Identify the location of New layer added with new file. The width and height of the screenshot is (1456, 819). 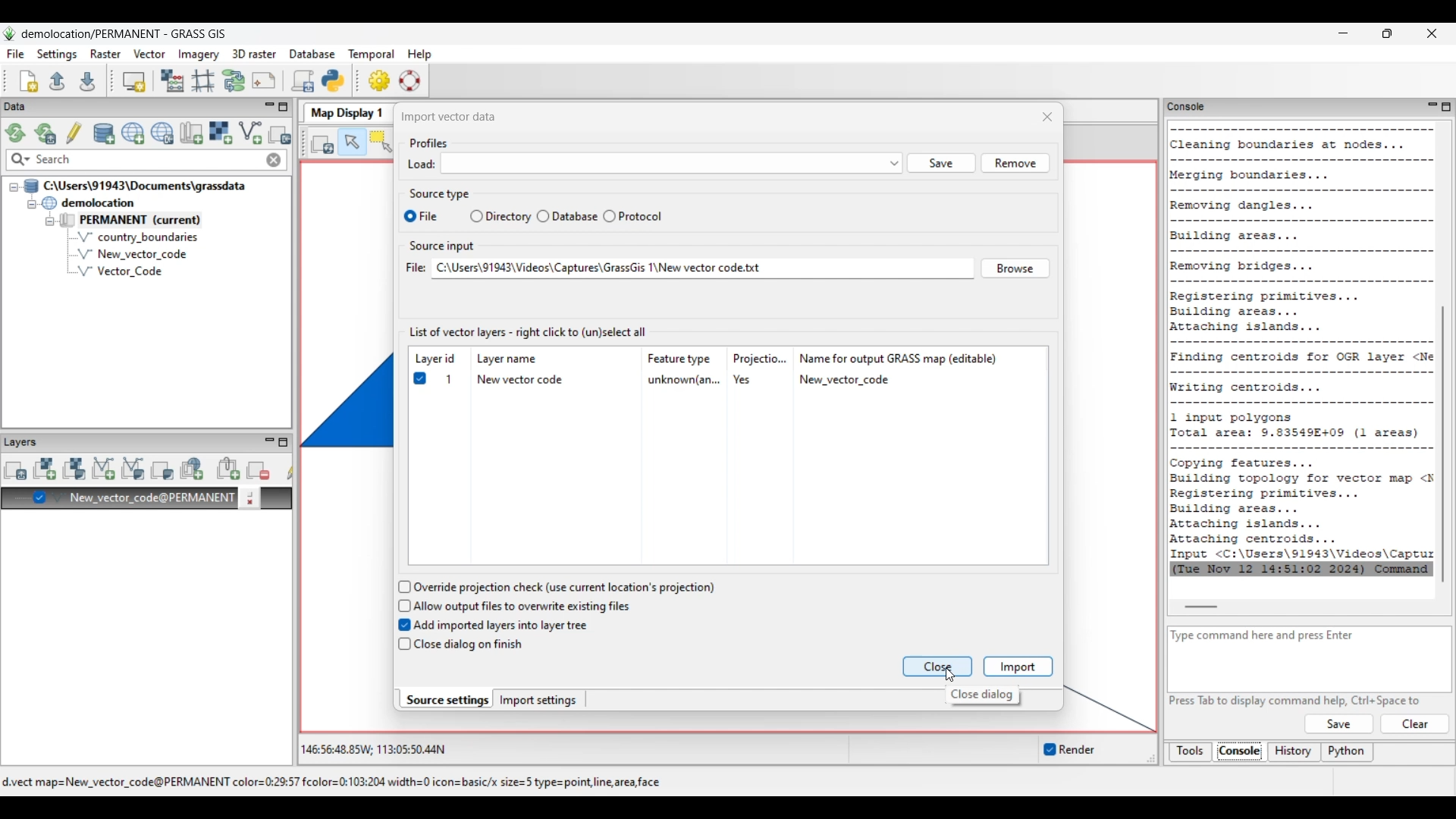
(143, 499).